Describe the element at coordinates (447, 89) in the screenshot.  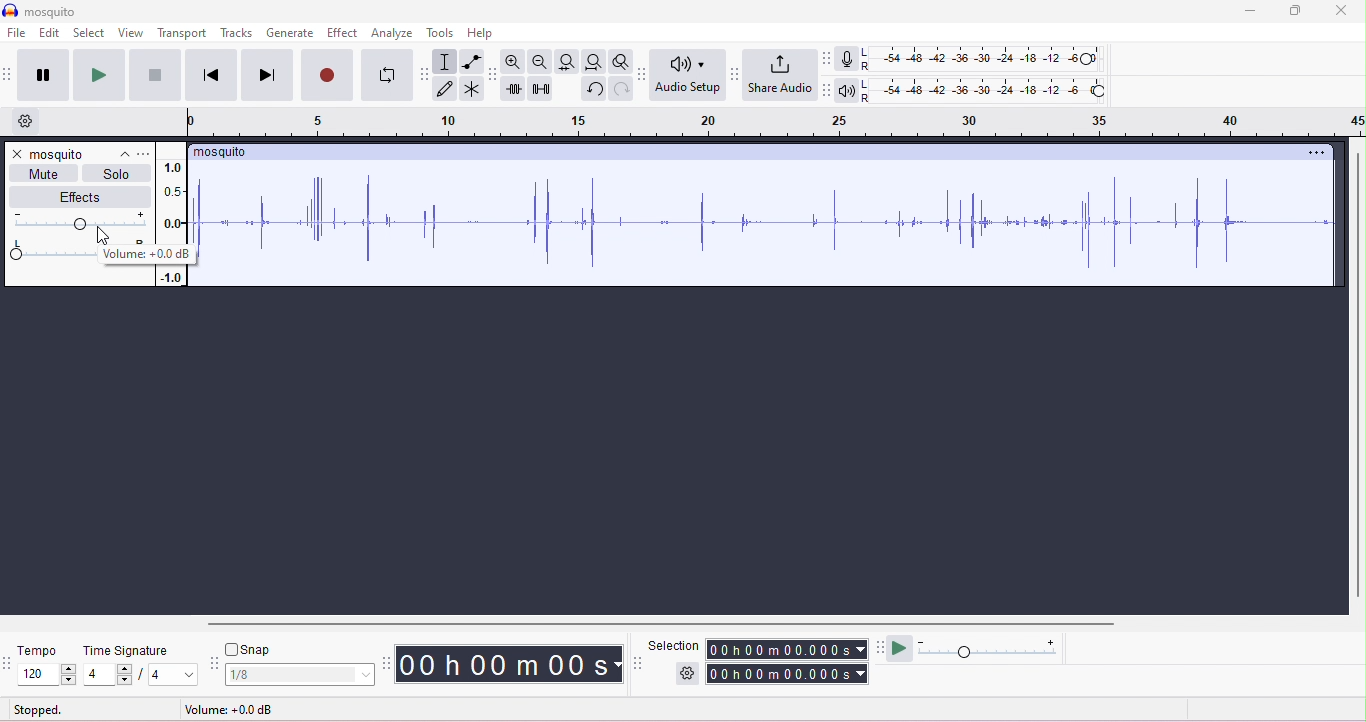
I see `draw` at that location.